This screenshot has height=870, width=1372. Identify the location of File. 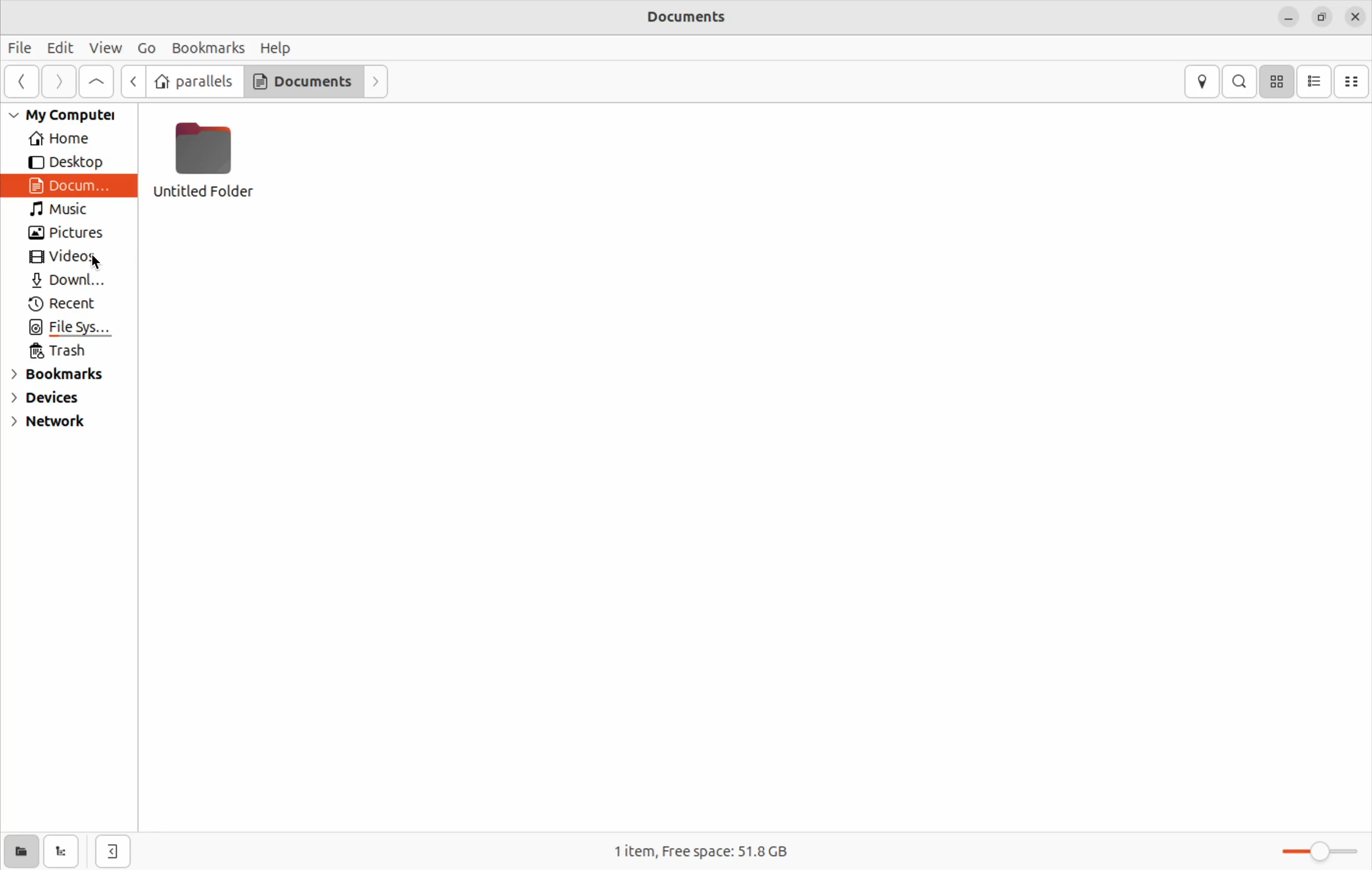
(18, 48).